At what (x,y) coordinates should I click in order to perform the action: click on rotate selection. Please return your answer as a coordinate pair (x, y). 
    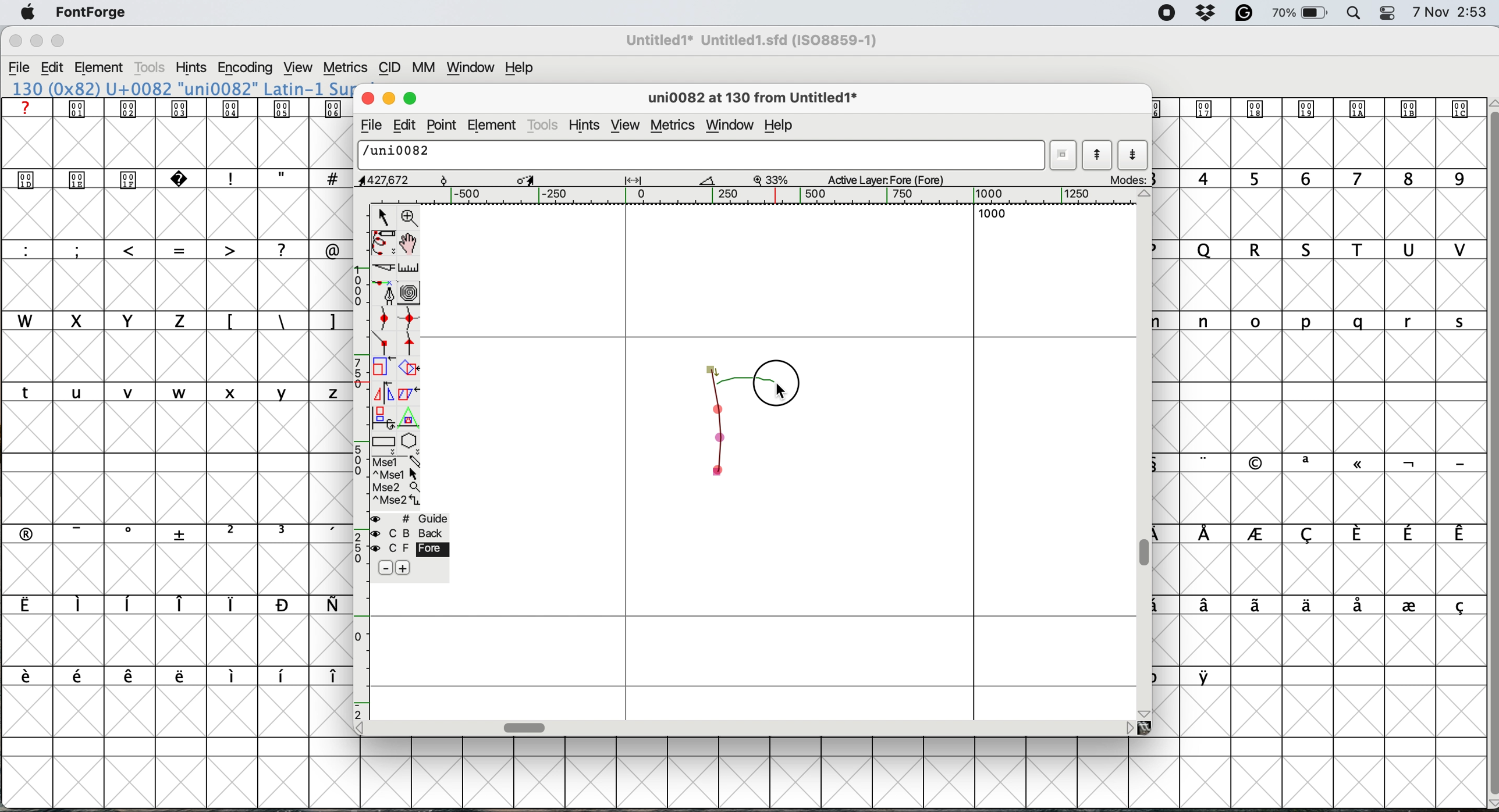
    Looking at the image, I should click on (410, 369).